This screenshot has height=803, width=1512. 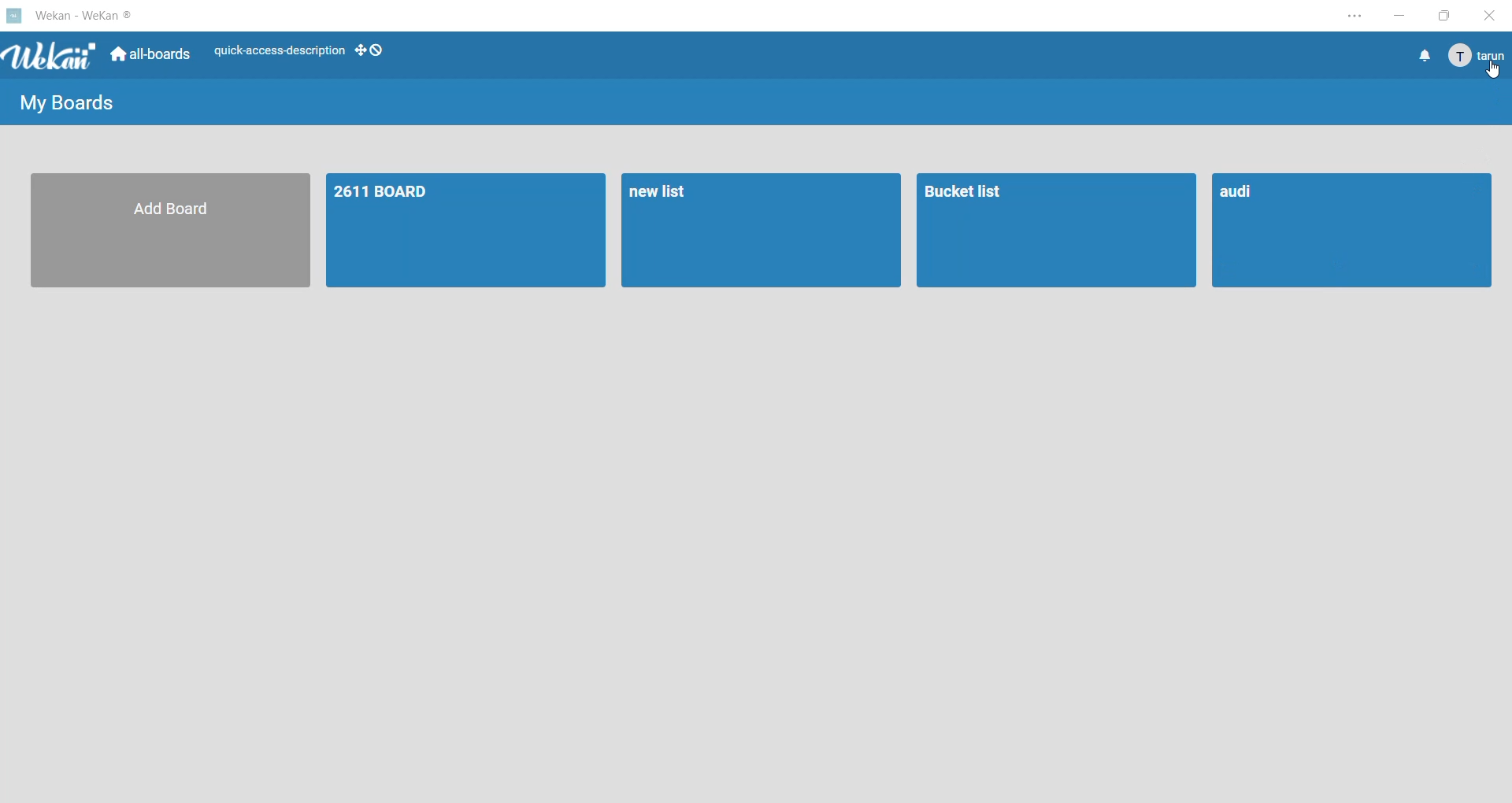 I want to click on minimize, so click(x=1401, y=18).